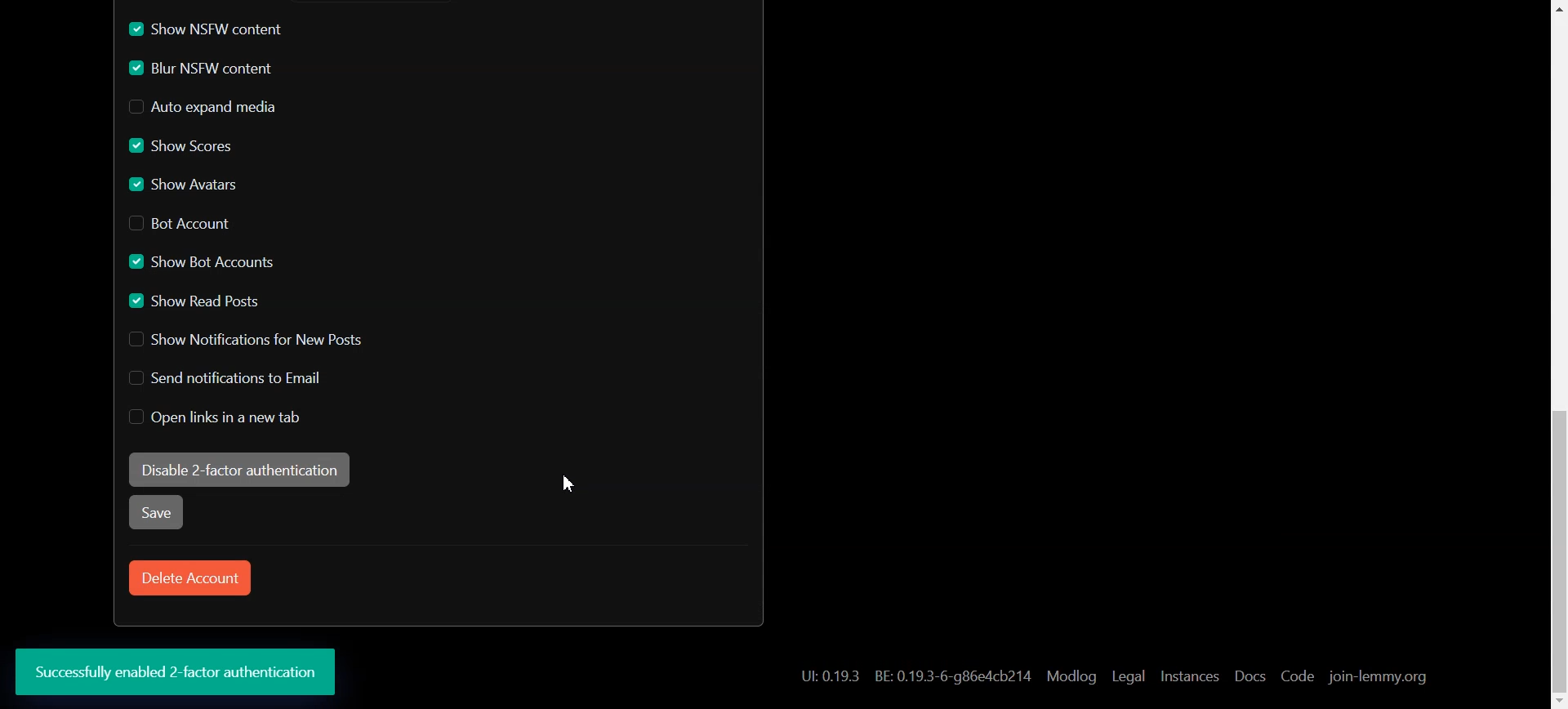 The image size is (1568, 709). What do you see at coordinates (236, 470) in the screenshot?
I see `Enable 2-factor authentication` at bounding box center [236, 470].